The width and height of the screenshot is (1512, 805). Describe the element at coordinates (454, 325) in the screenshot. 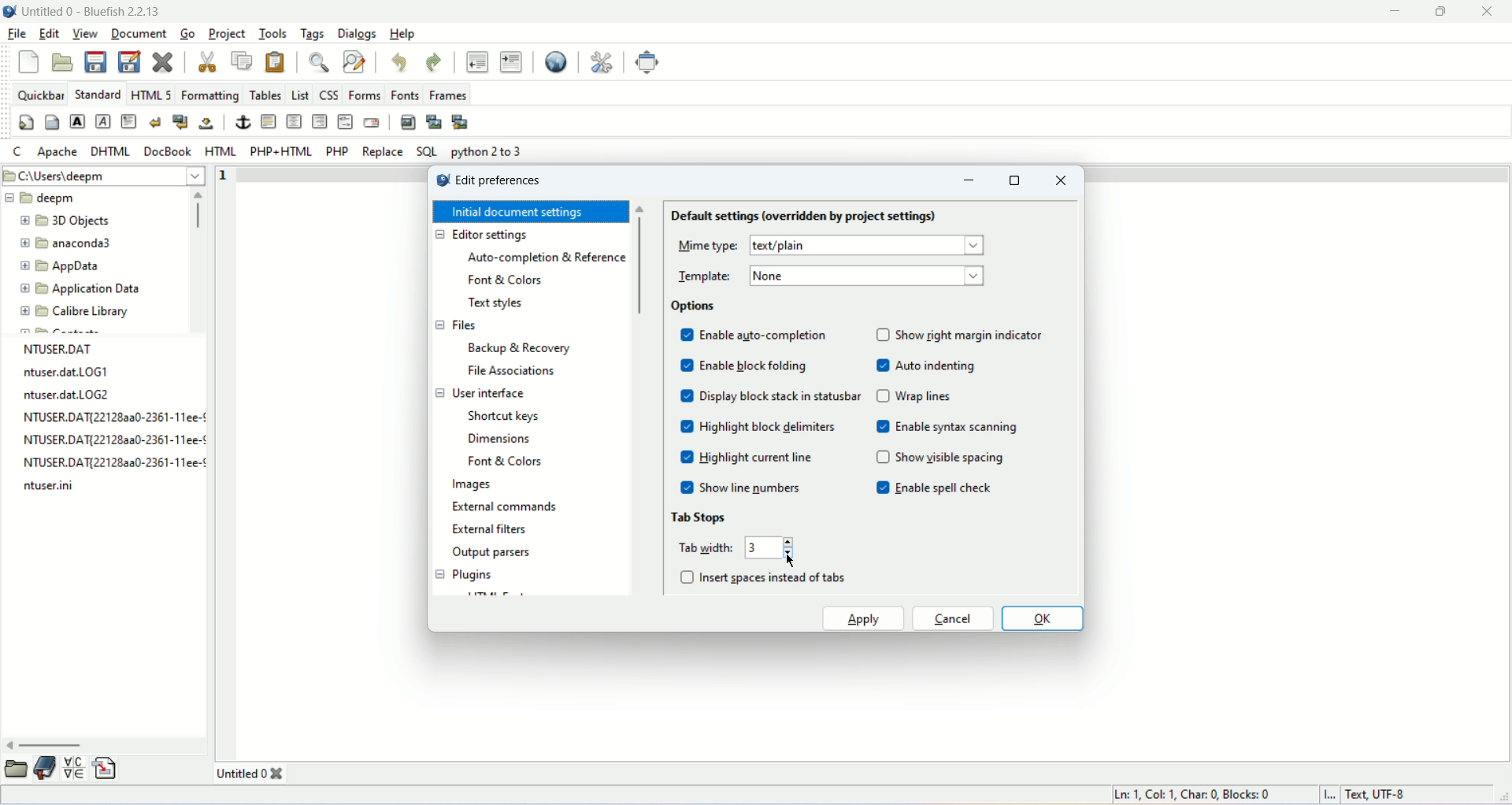

I see `files` at that location.